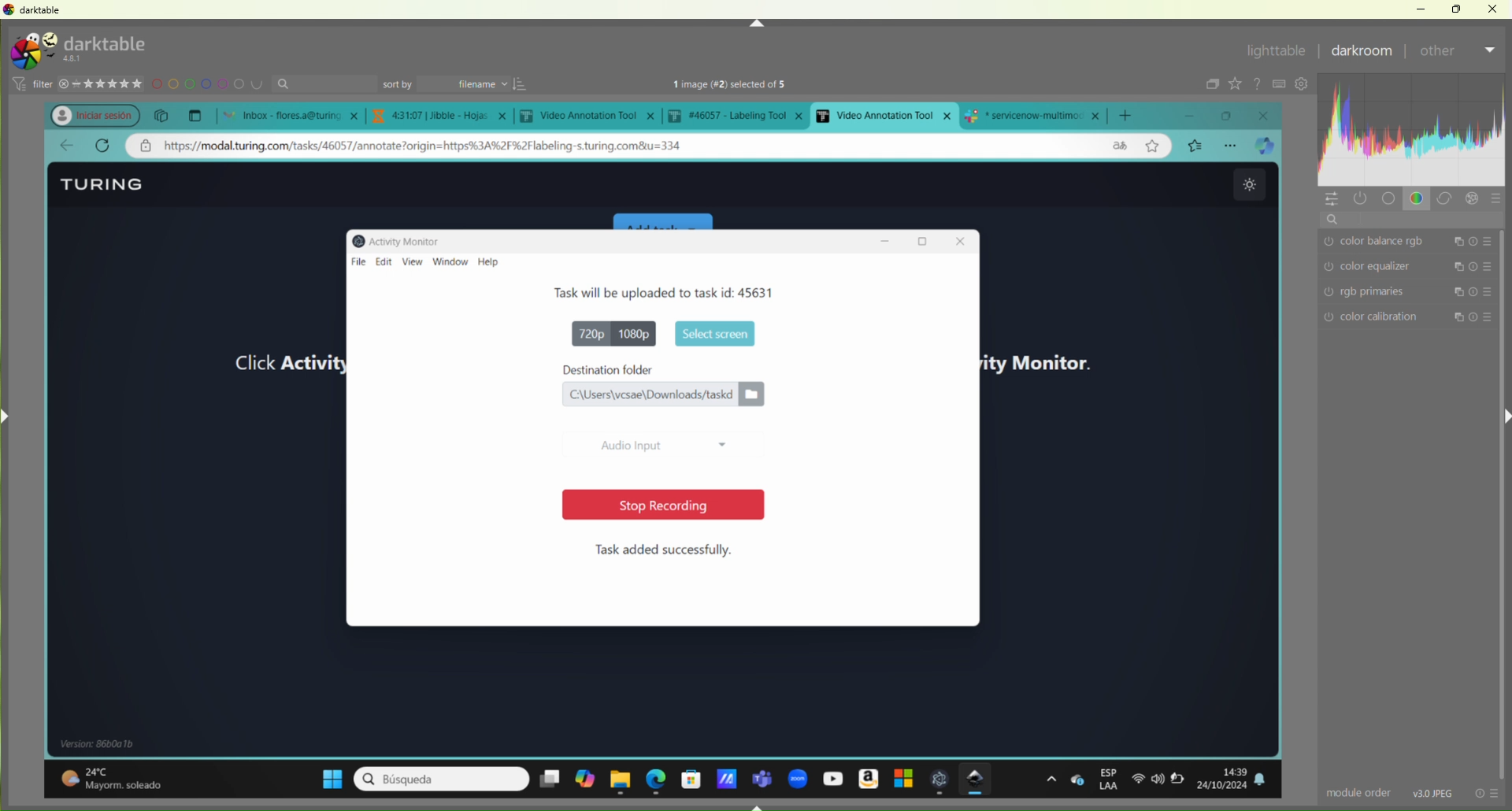 This screenshot has width=1512, height=811. Describe the element at coordinates (1492, 50) in the screenshot. I see `Dropdown` at that location.